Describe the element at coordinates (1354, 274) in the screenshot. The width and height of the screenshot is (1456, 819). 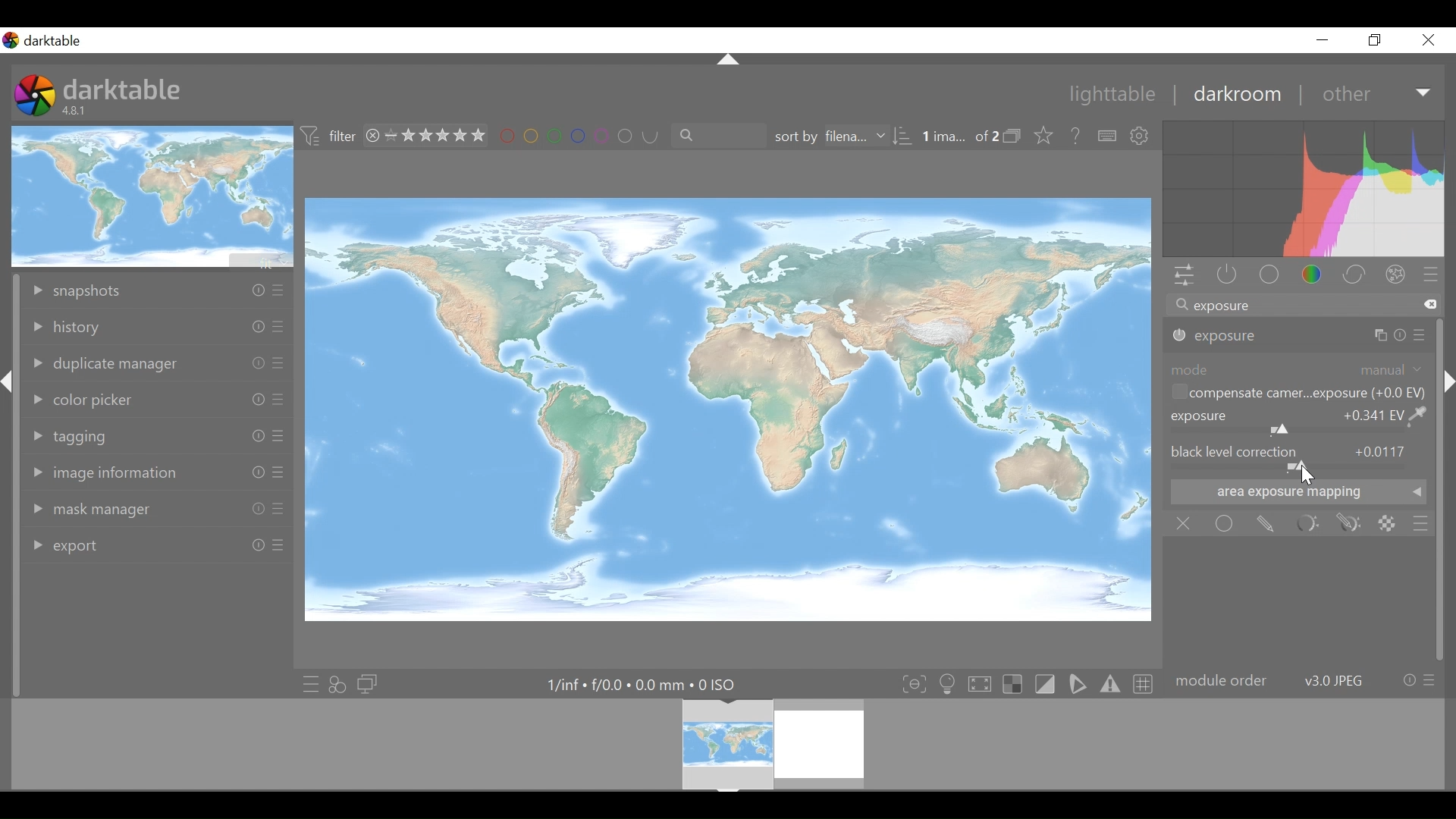
I see `correct` at that location.